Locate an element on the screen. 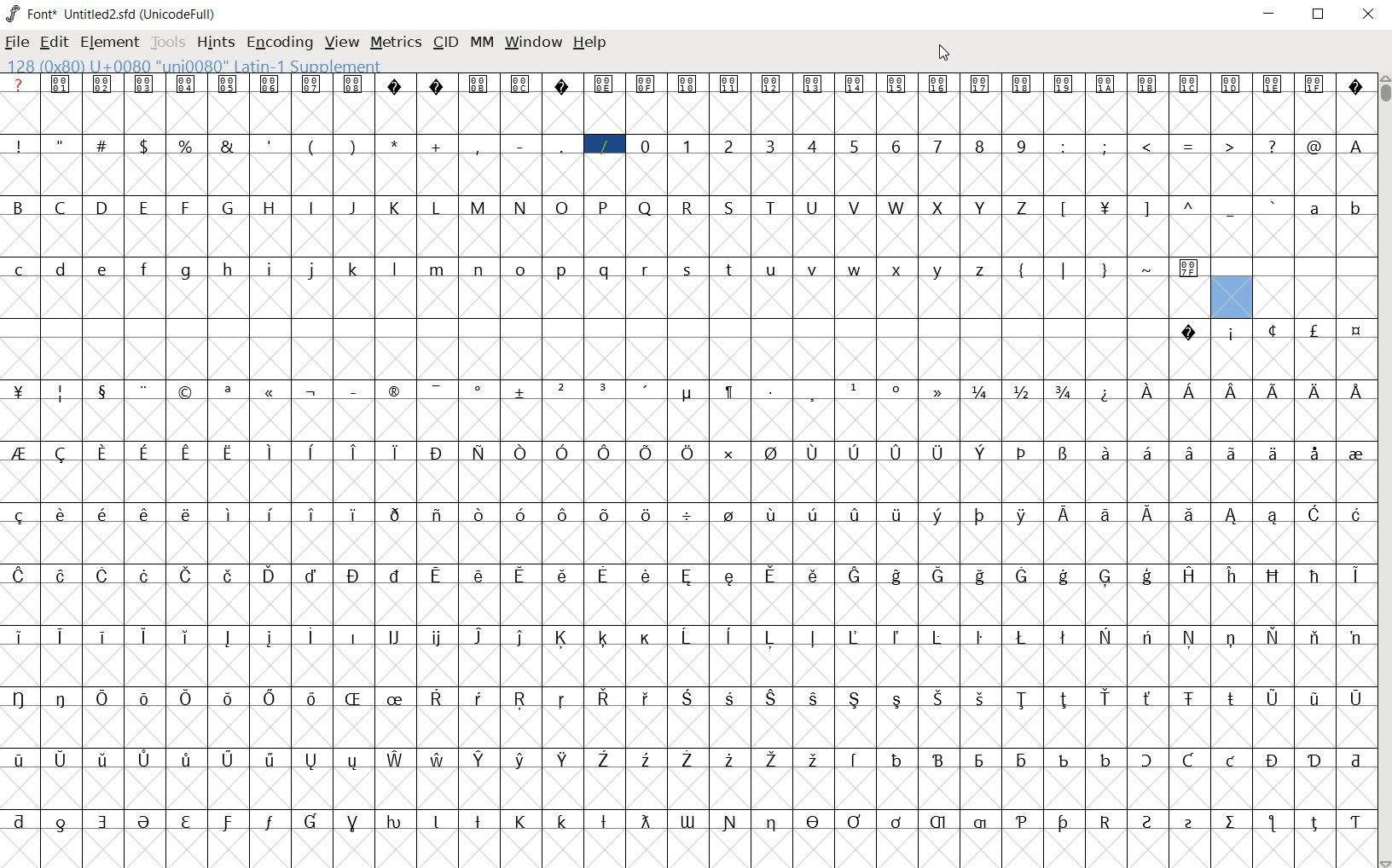 This screenshot has width=1392, height=868. glyph is located at coordinates (310, 270).